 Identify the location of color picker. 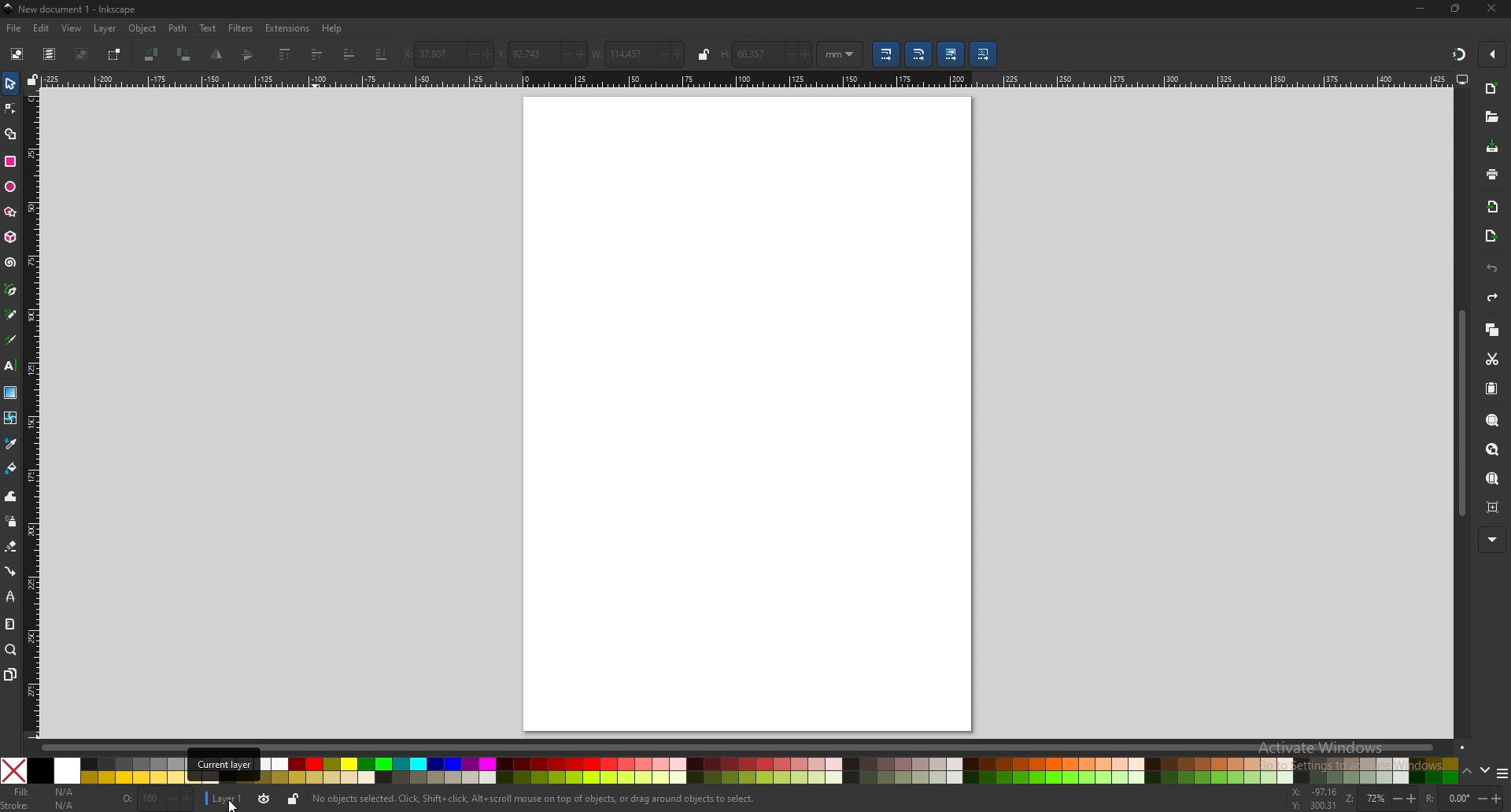
(10, 445).